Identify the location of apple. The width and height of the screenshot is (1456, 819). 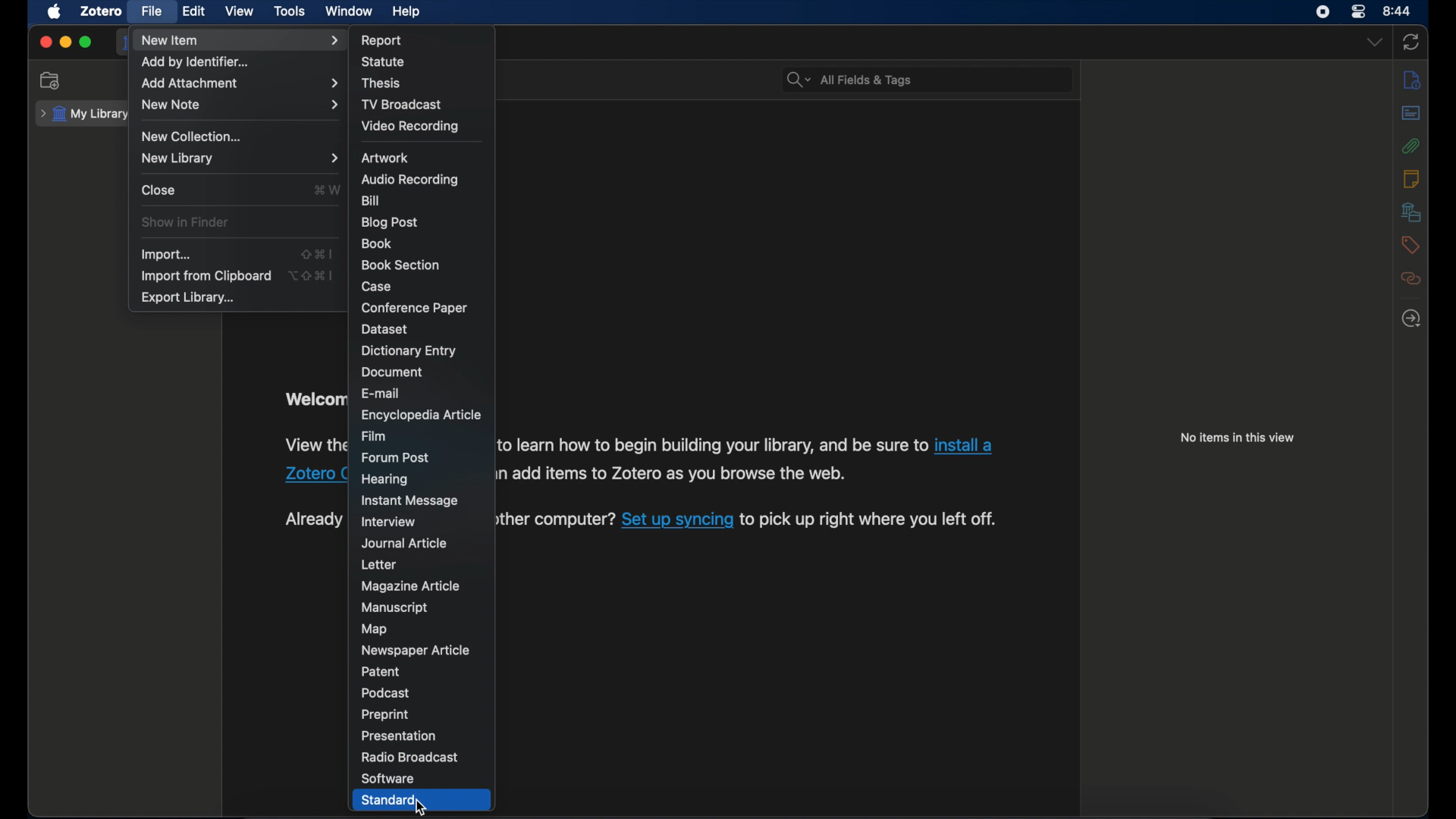
(55, 12).